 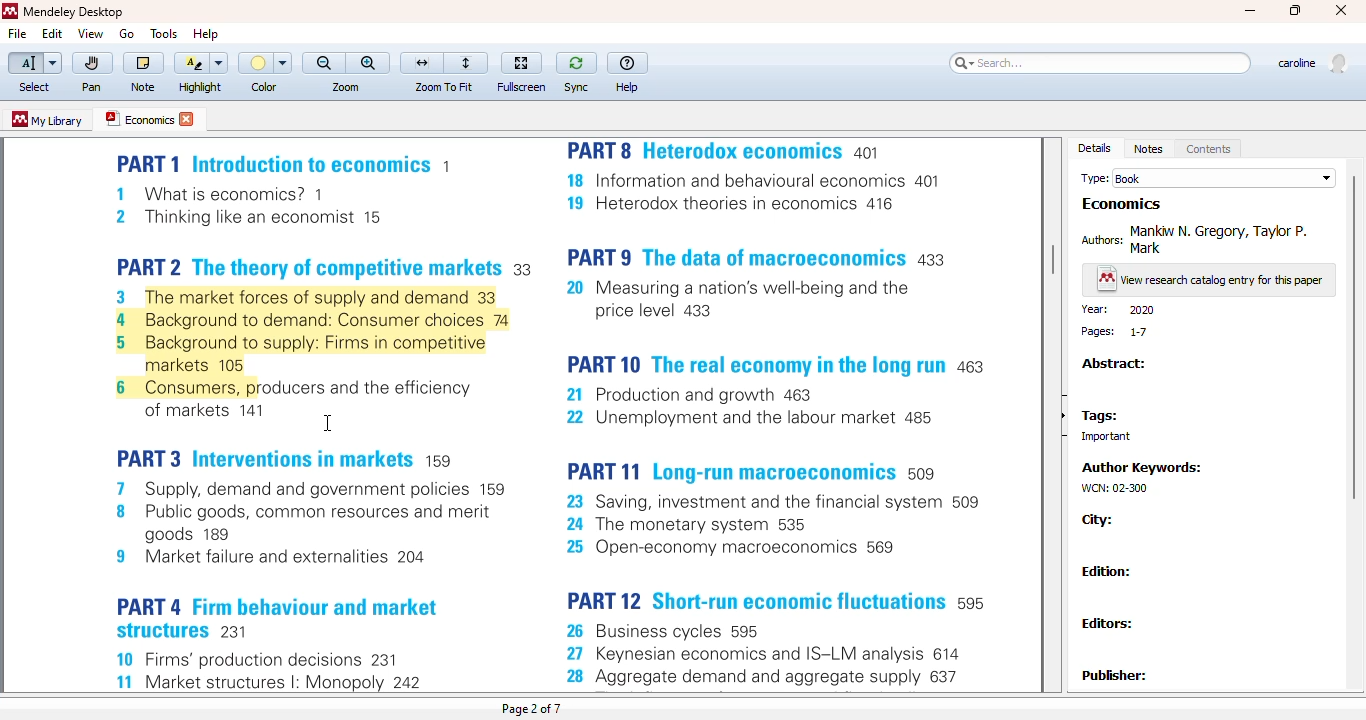 I want to click on help, so click(x=206, y=33).